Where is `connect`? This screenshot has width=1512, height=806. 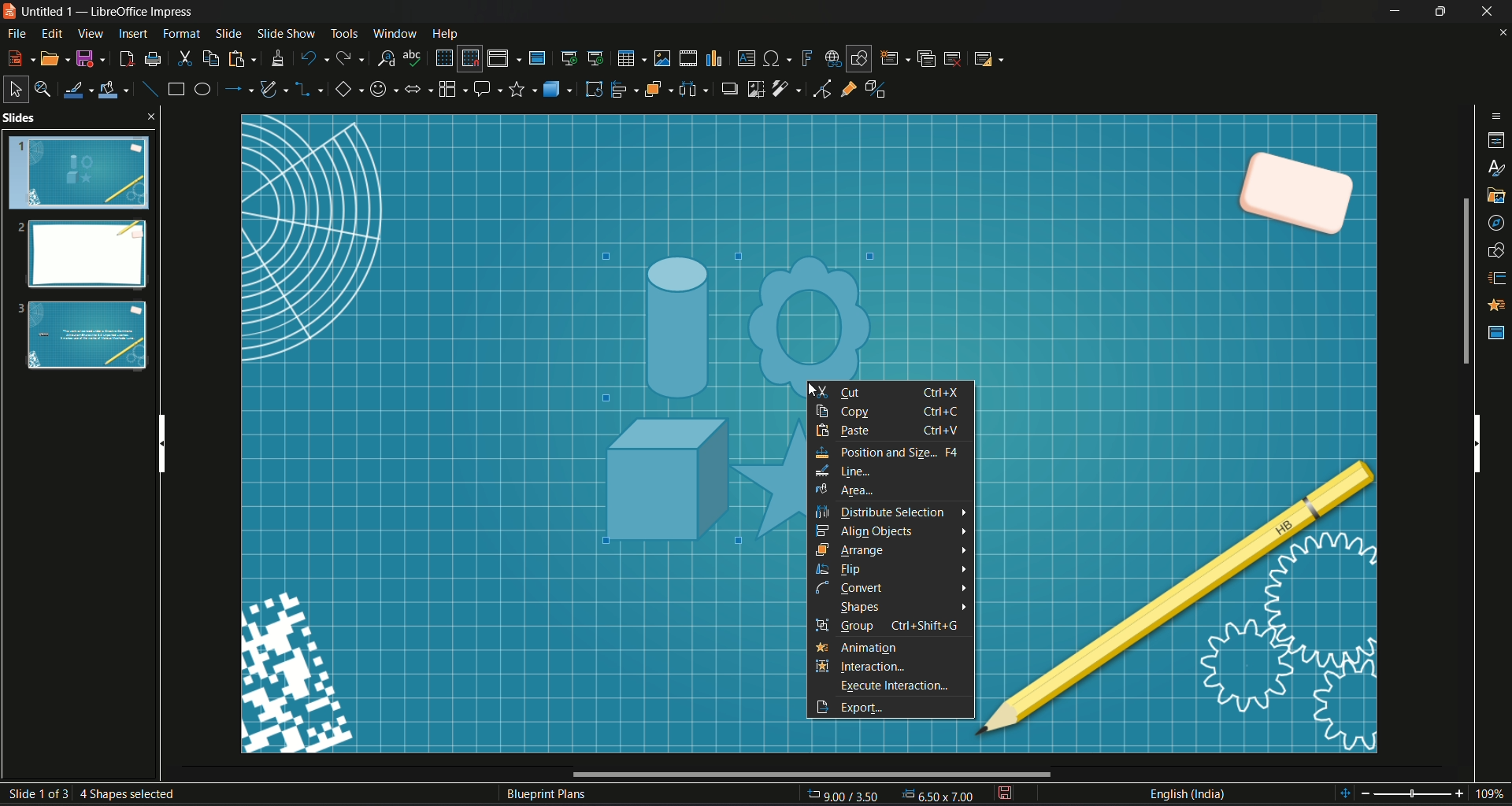 connect is located at coordinates (854, 588).